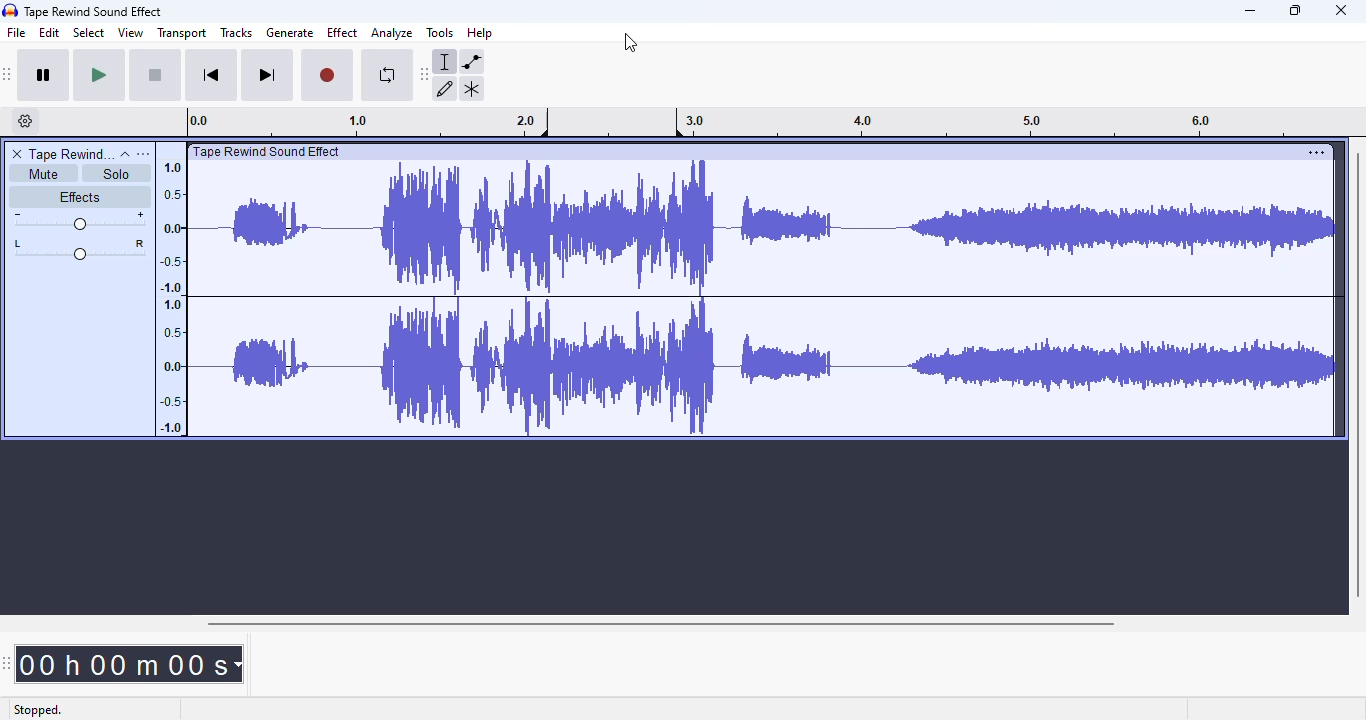 This screenshot has width=1366, height=720. I want to click on volume, so click(79, 222).